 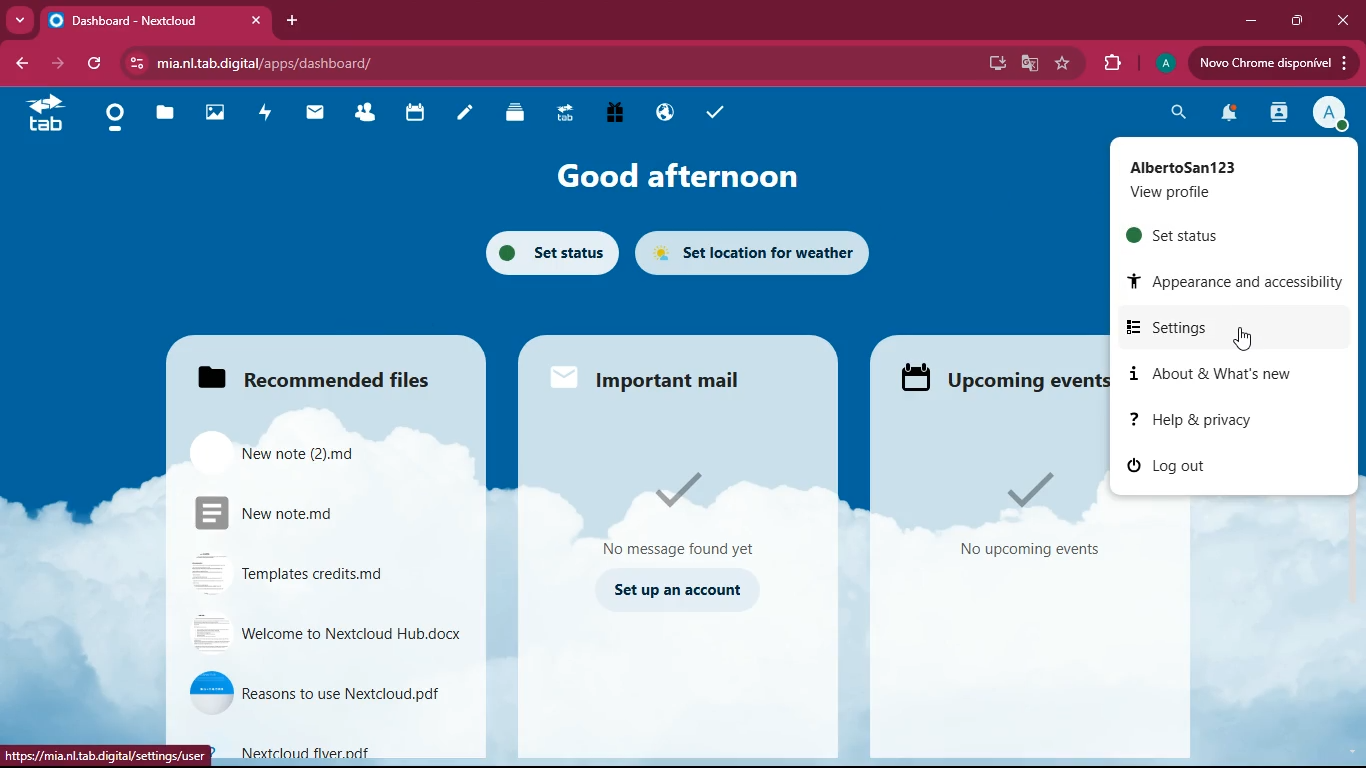 What do you see at coordinates (1172, 114) in the screenshot?
I see `search` at bounding box center [1172, 114].